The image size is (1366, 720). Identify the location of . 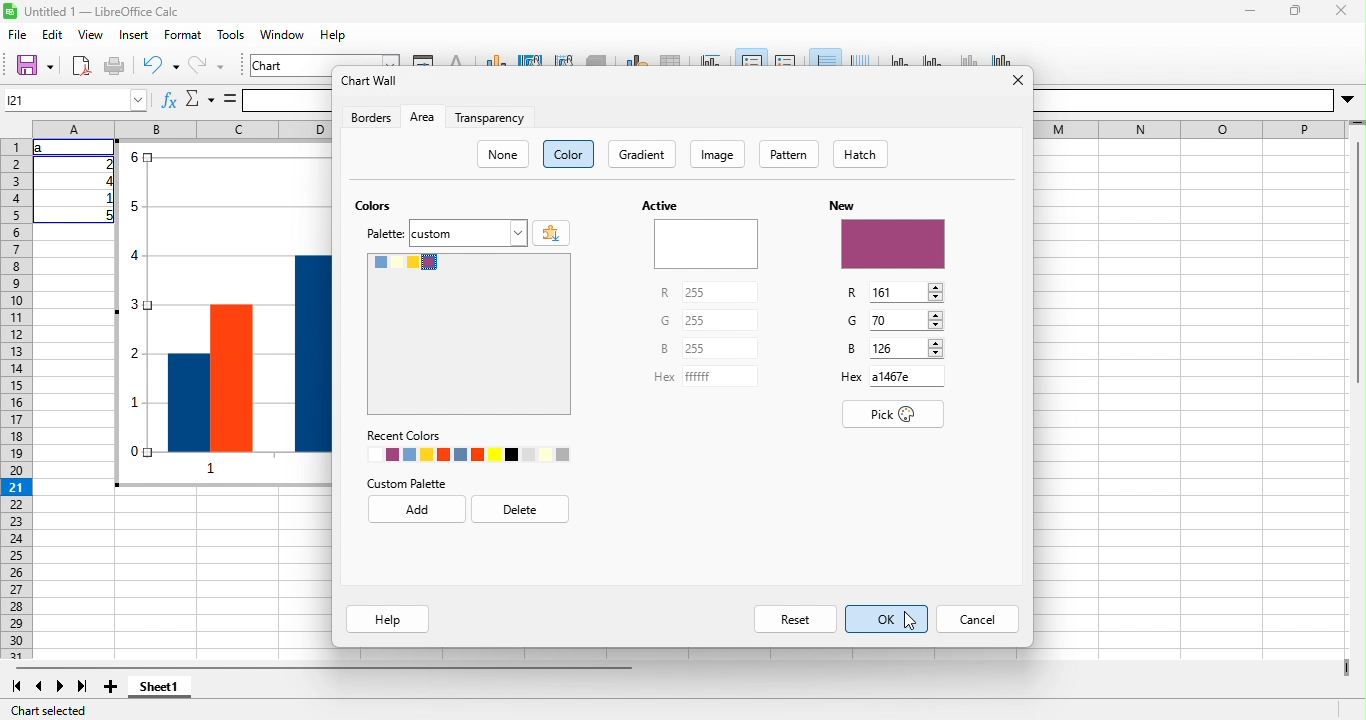
(1183, 101).